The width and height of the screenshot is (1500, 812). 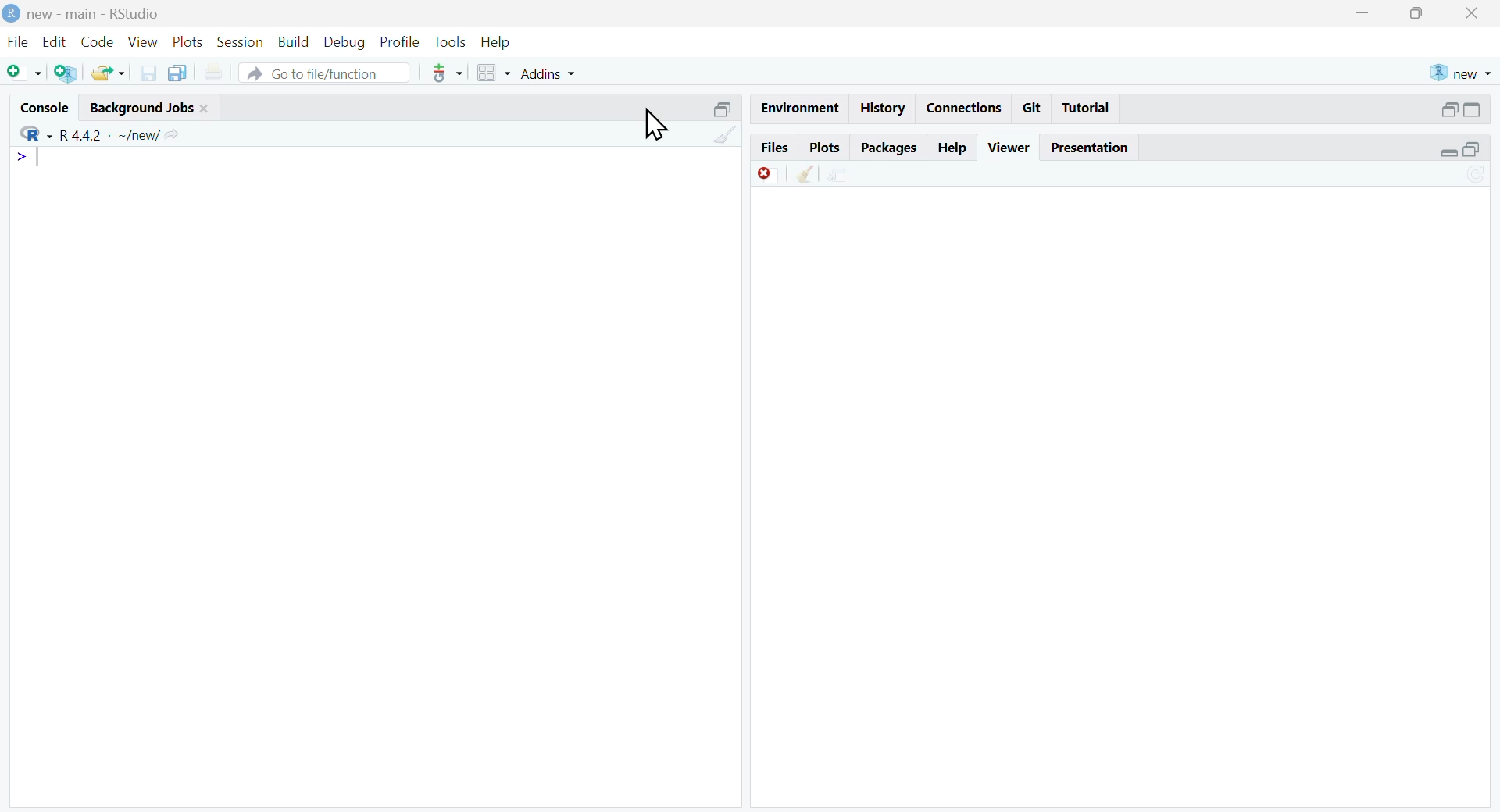 What do you see at coordinates (21, 156) in the screenshot?
I see `>` at bounding box center [21, 156].